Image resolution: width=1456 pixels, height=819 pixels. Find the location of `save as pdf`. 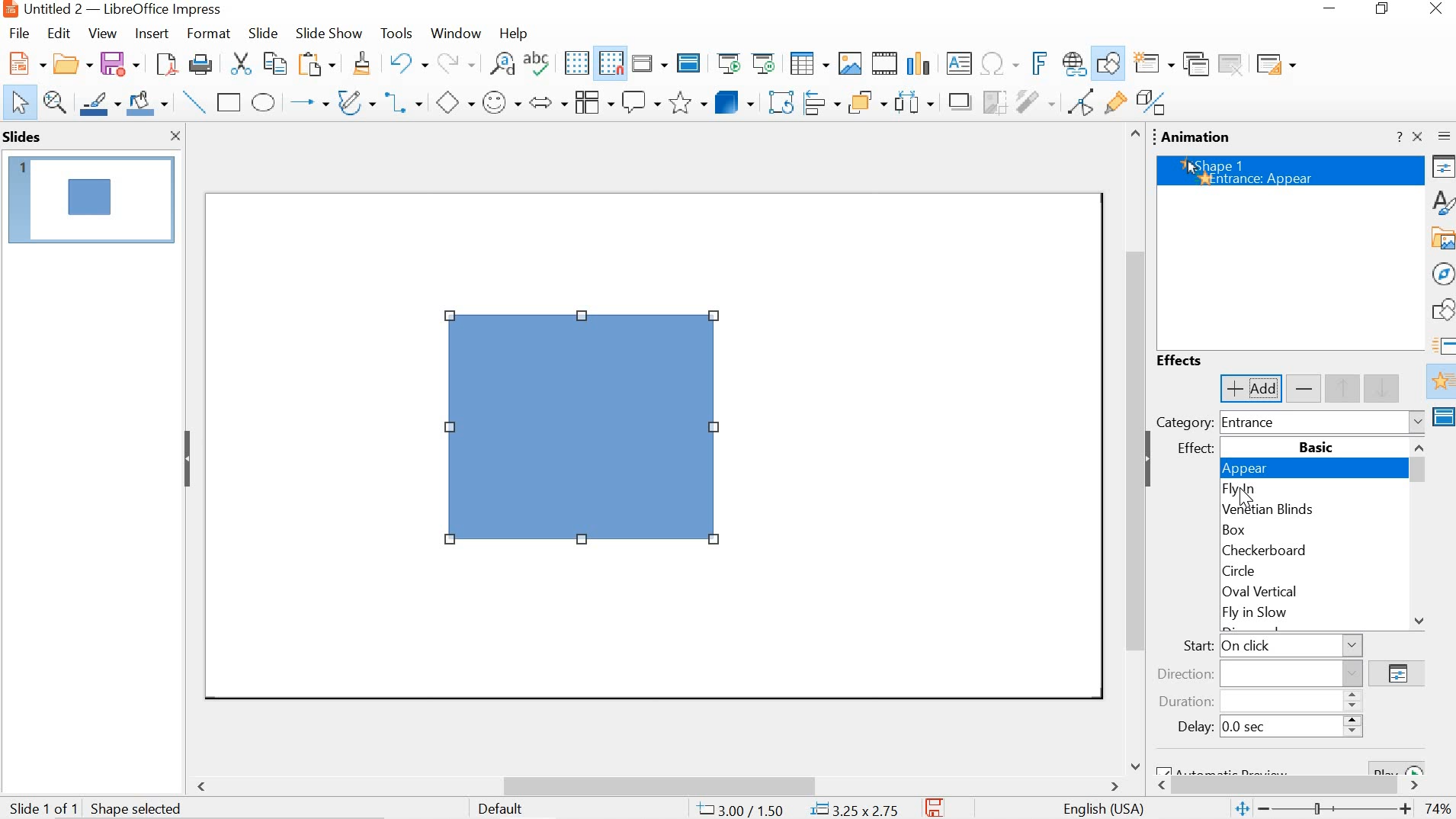

save as pdf is located at coordinates (166, 65).